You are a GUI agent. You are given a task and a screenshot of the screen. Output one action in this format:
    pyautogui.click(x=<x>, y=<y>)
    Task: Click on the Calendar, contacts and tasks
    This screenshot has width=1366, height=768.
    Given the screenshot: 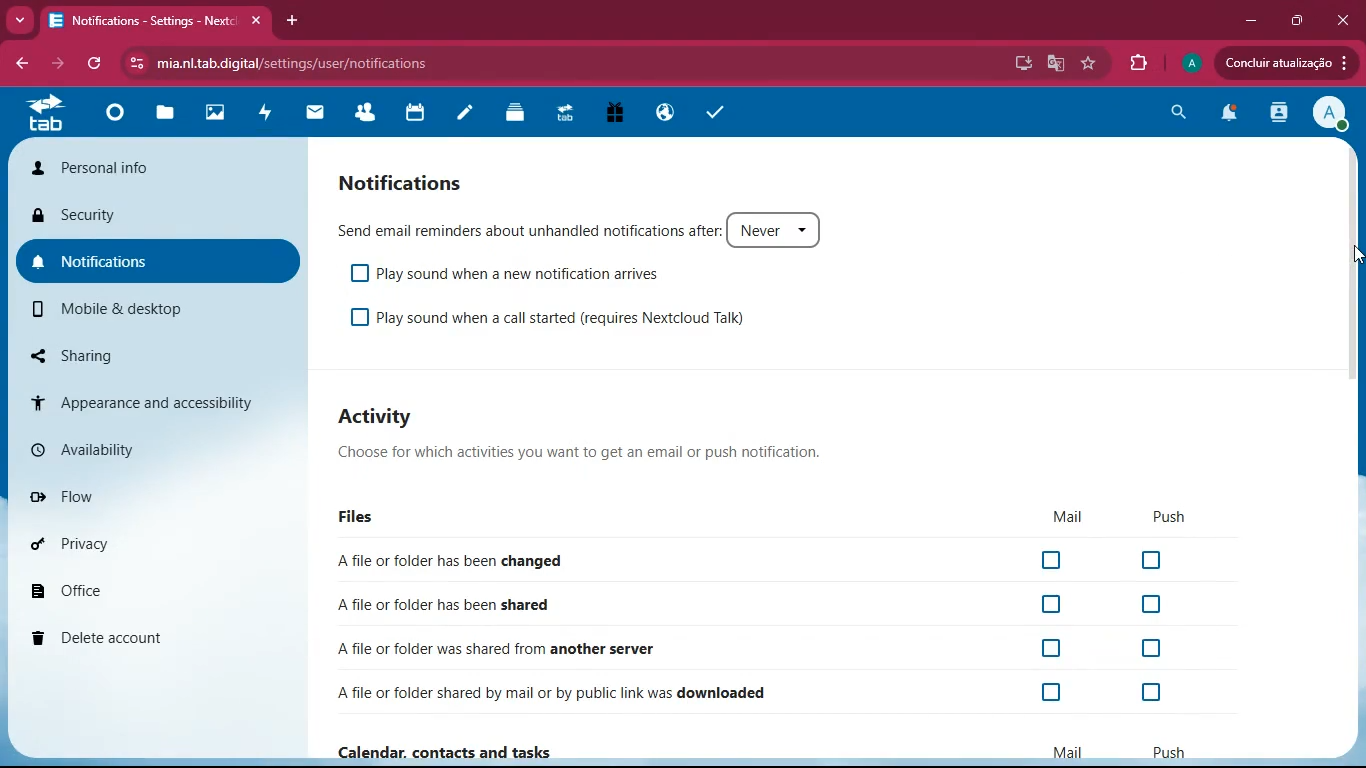 What is the action you would take?
    pyautogui.click(x=758, y=750)
    